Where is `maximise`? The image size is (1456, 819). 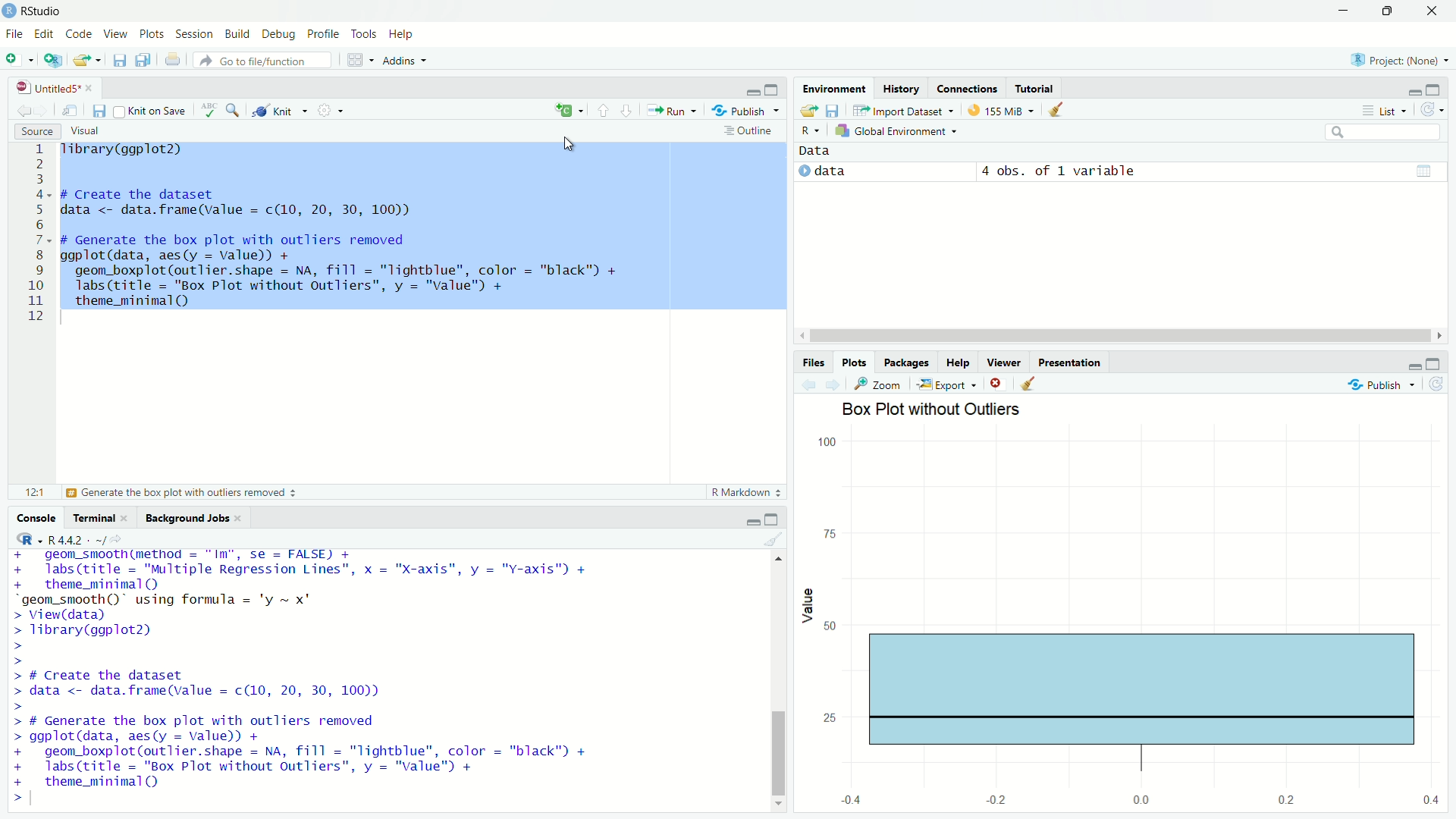 maximise is located at coordinates (1432, 91).